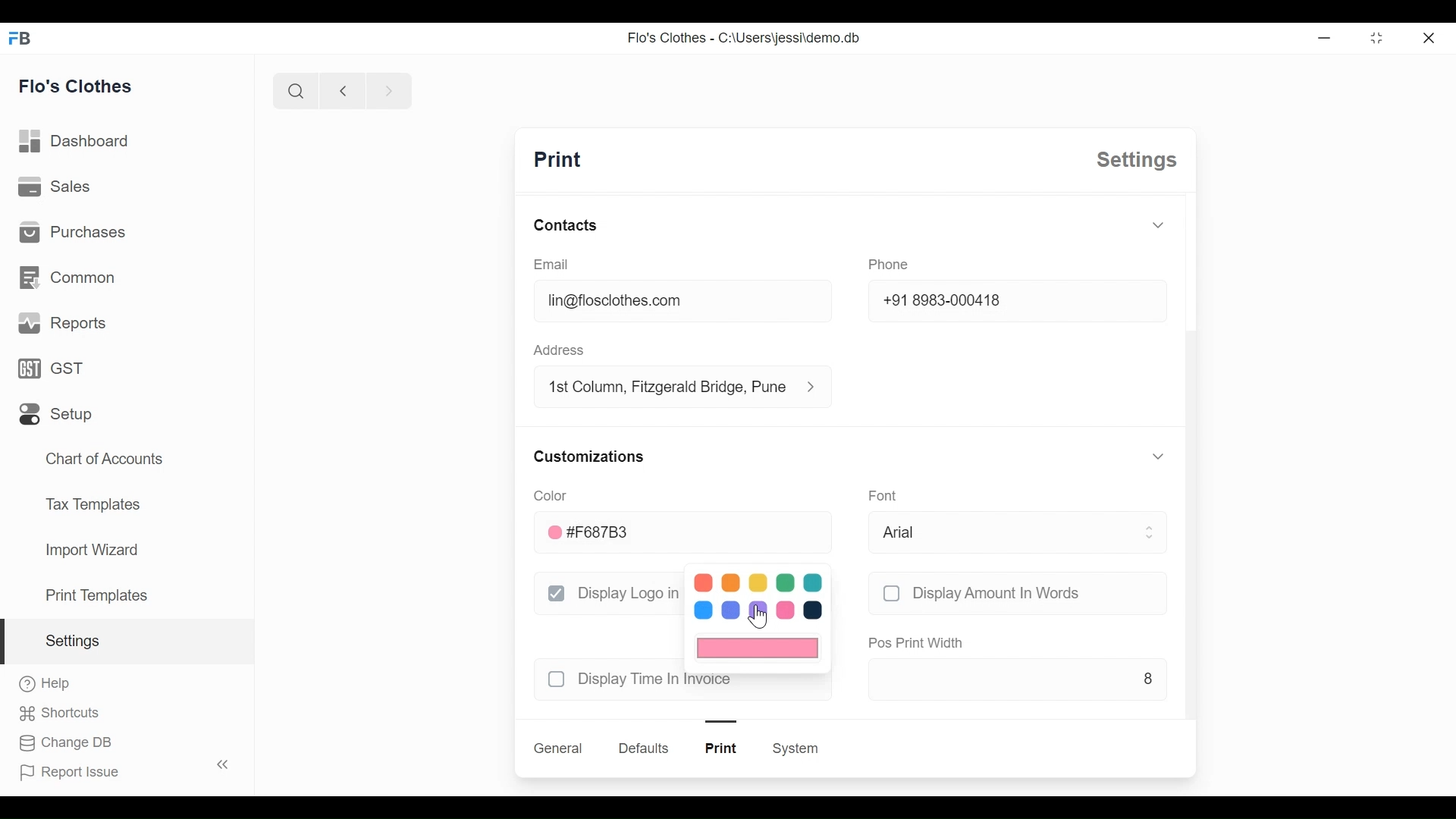 This screenshot has height=819, width=1456. I want to click on arial, so click(1018, 532).